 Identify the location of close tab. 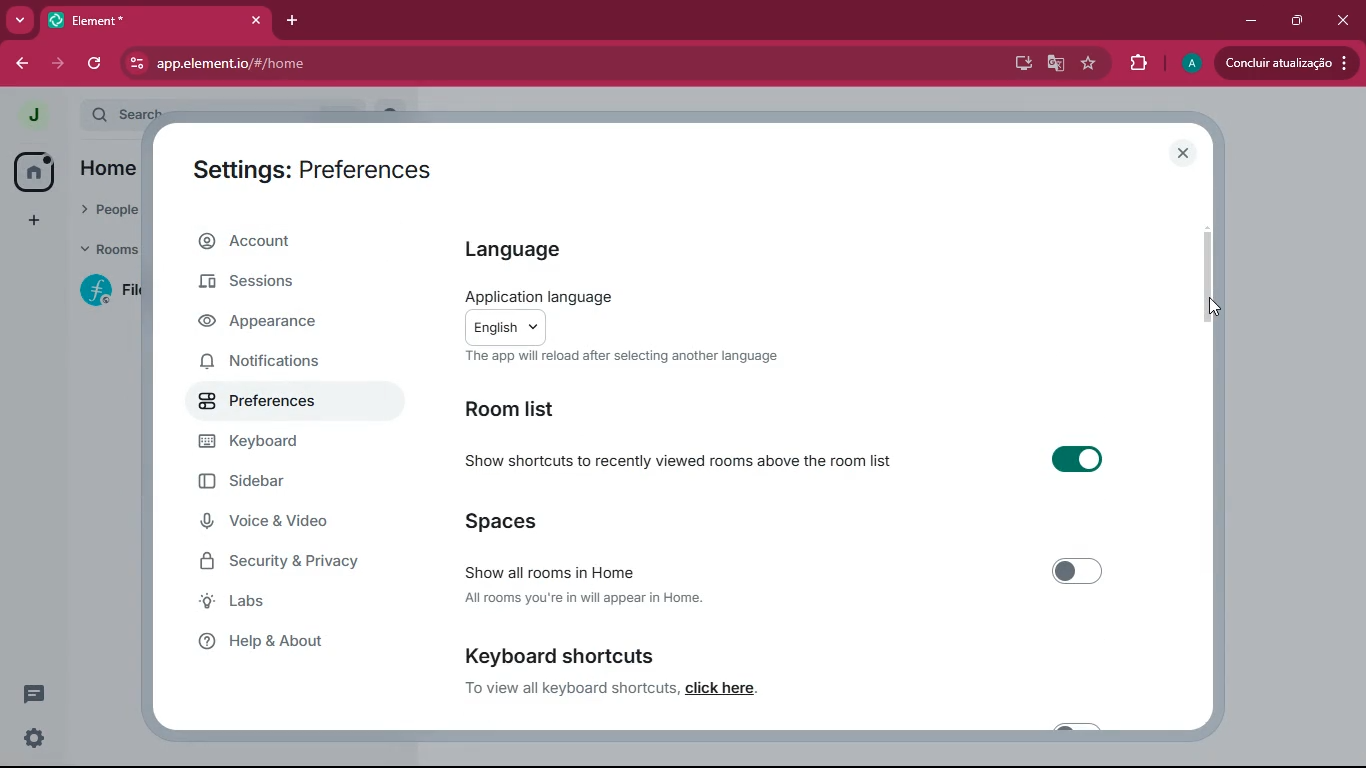
(256, 20).